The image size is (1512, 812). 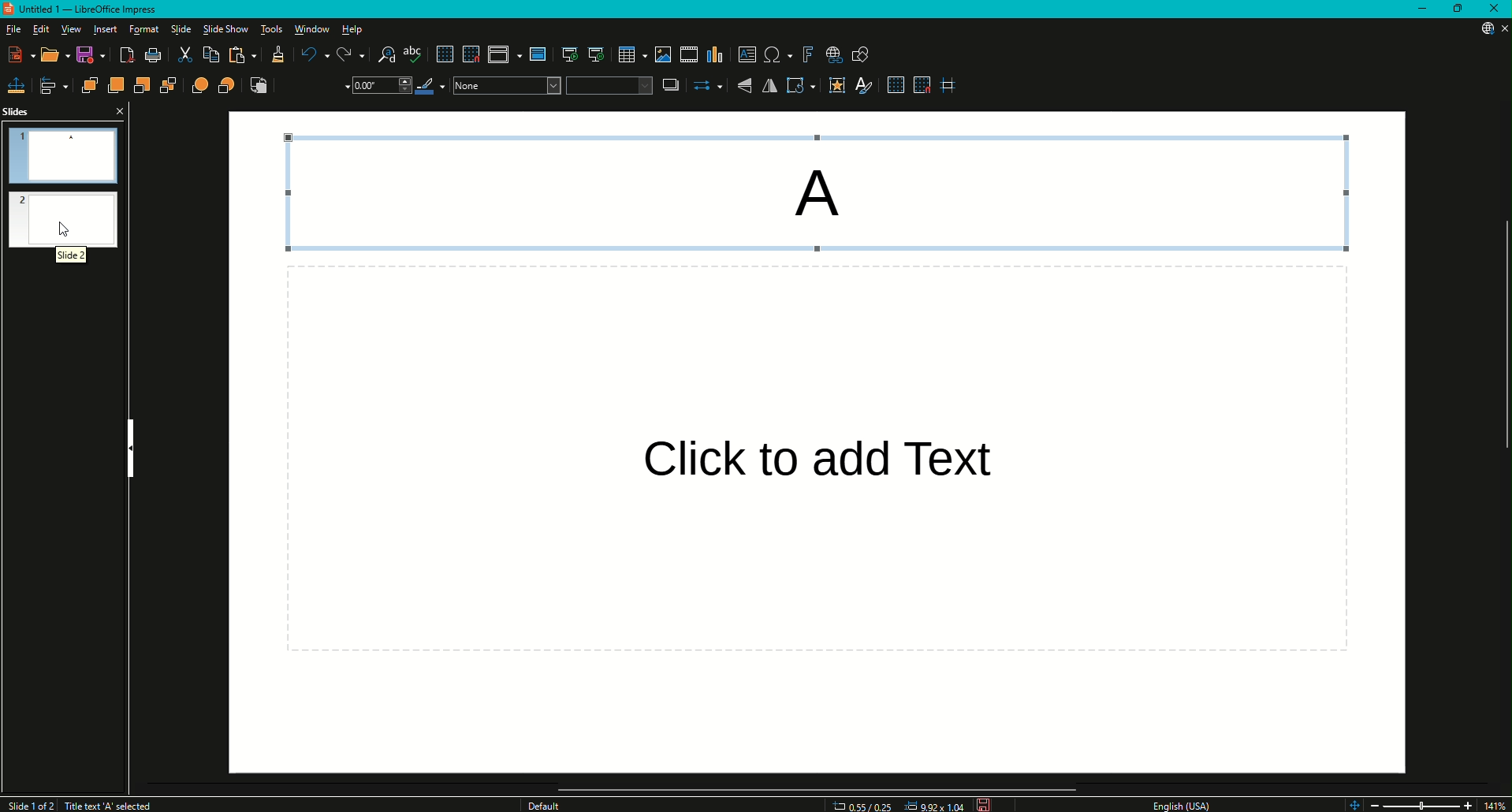 What do you see at coordinates (670, 85) in the screenshot?
I see `Shadow` at bounding box center [670, 85].